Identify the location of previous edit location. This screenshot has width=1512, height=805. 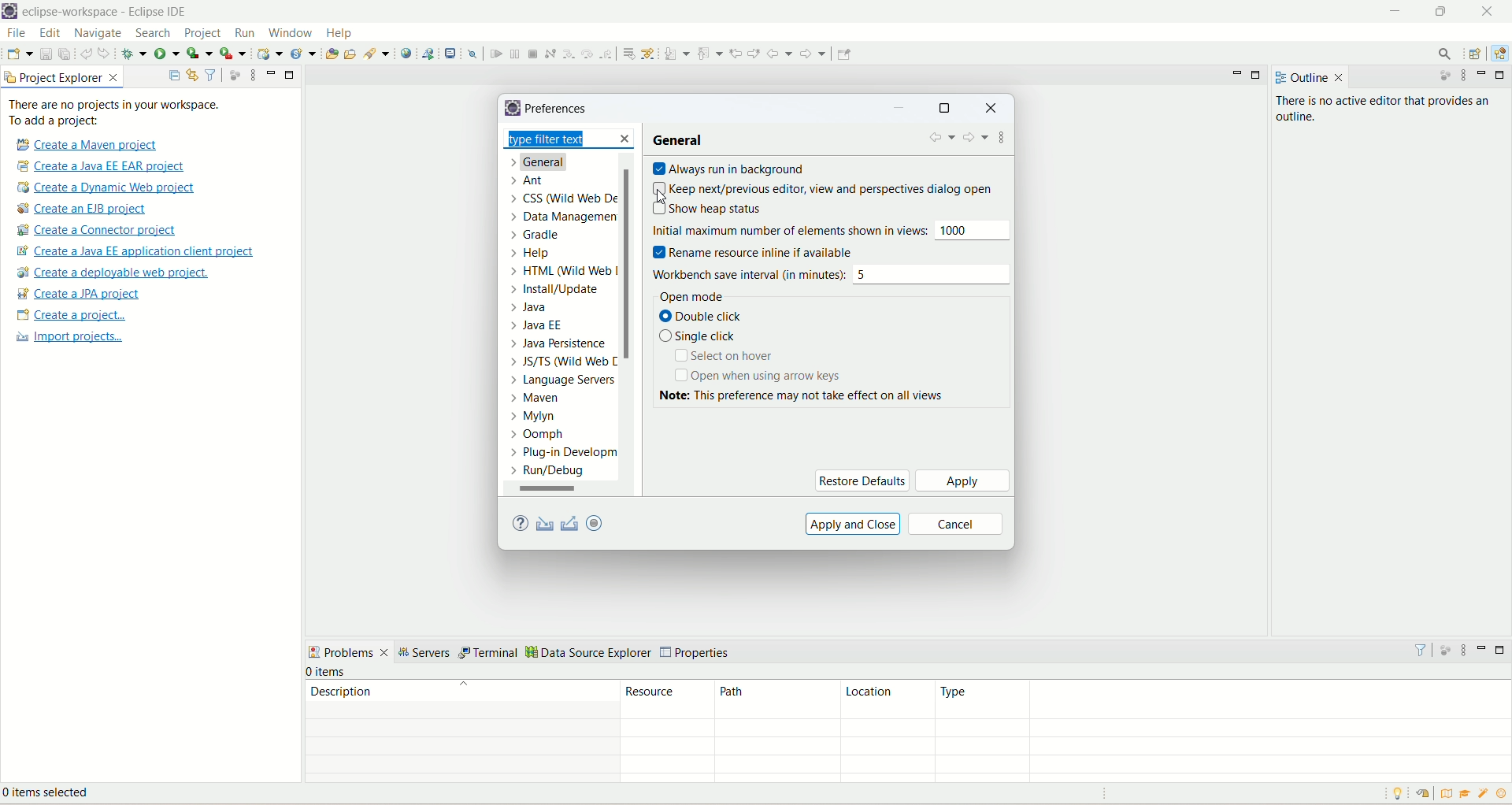
(736, 54).